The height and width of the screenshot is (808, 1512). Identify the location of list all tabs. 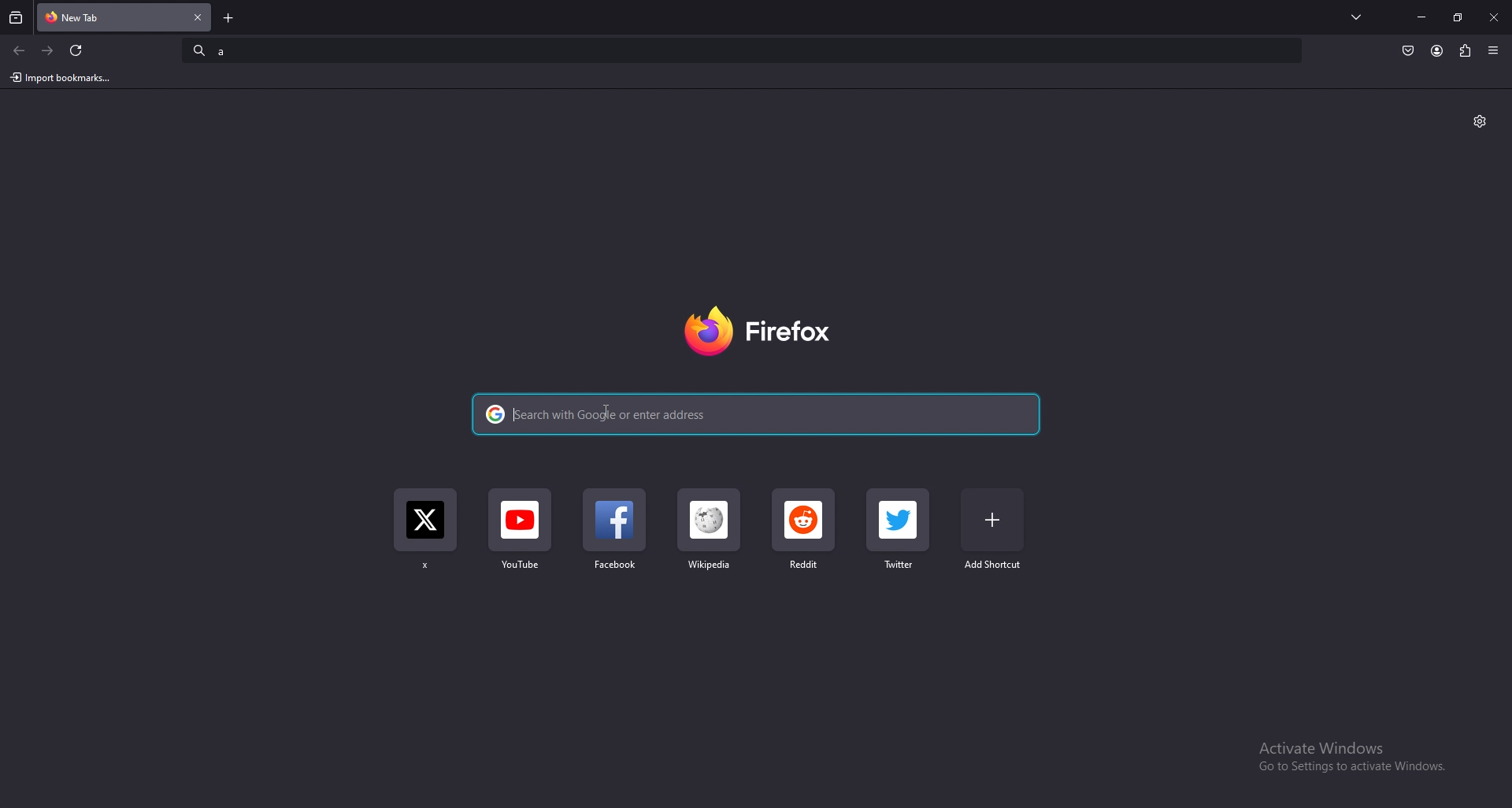
(1358, 16).